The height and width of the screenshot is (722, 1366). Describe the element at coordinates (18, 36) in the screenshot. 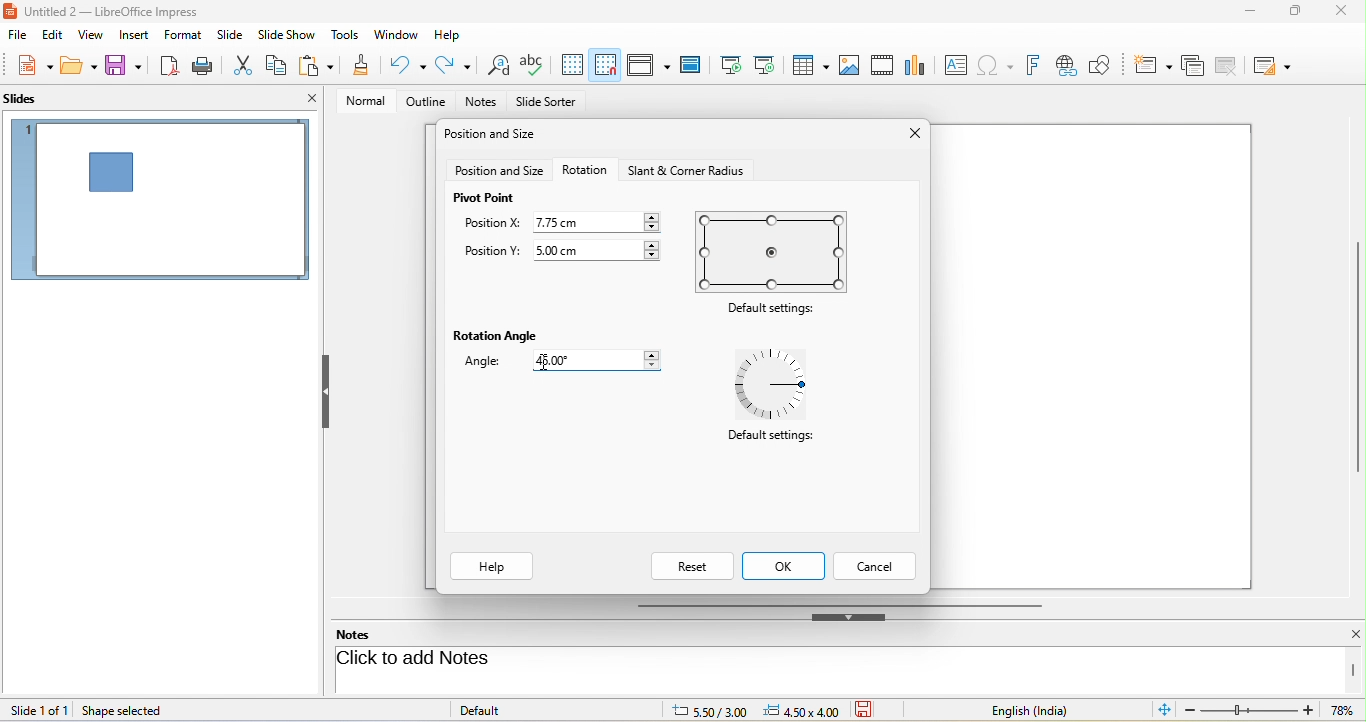

I see `file` at that location.